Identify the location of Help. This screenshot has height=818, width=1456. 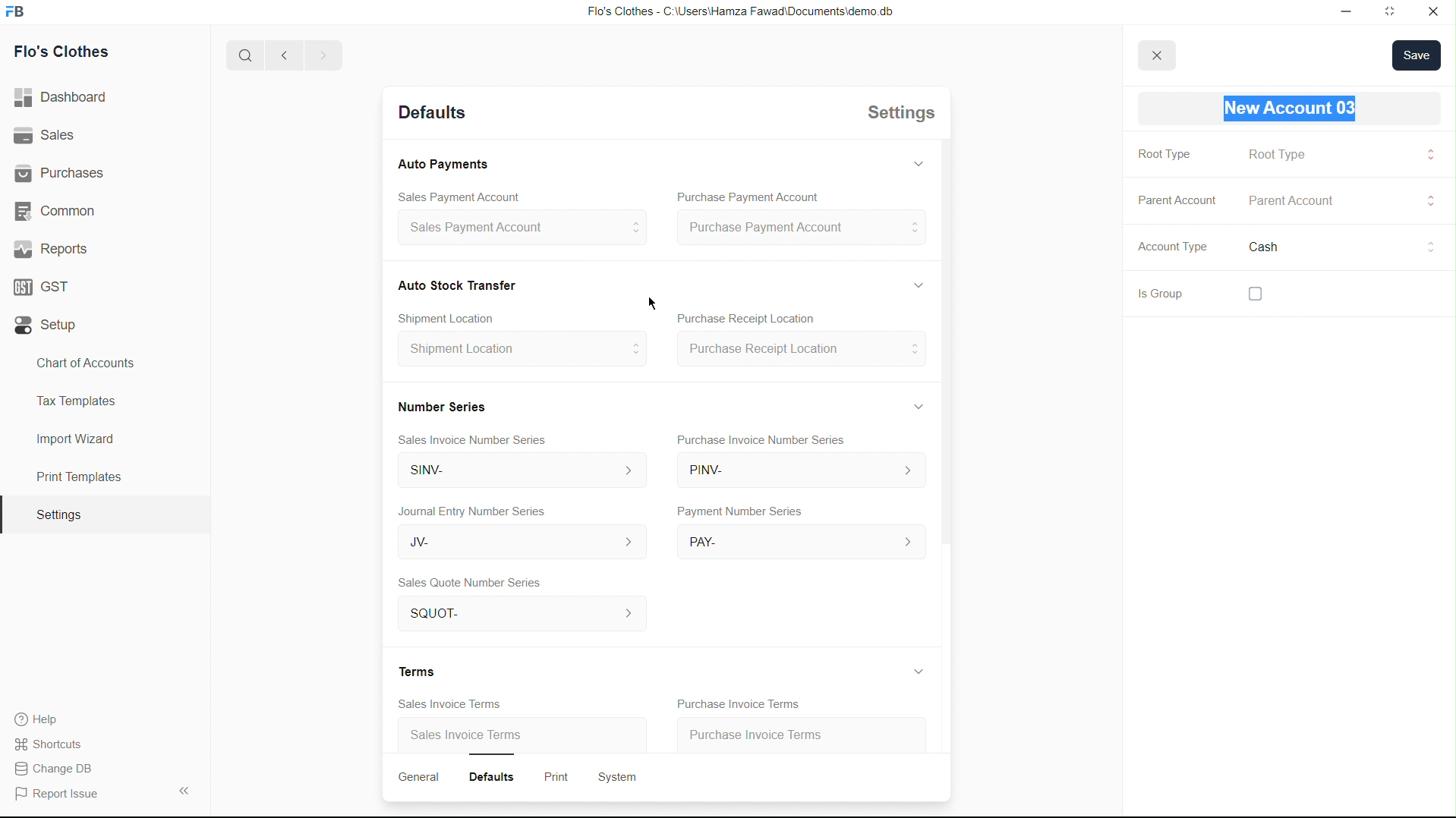
(43, 719).